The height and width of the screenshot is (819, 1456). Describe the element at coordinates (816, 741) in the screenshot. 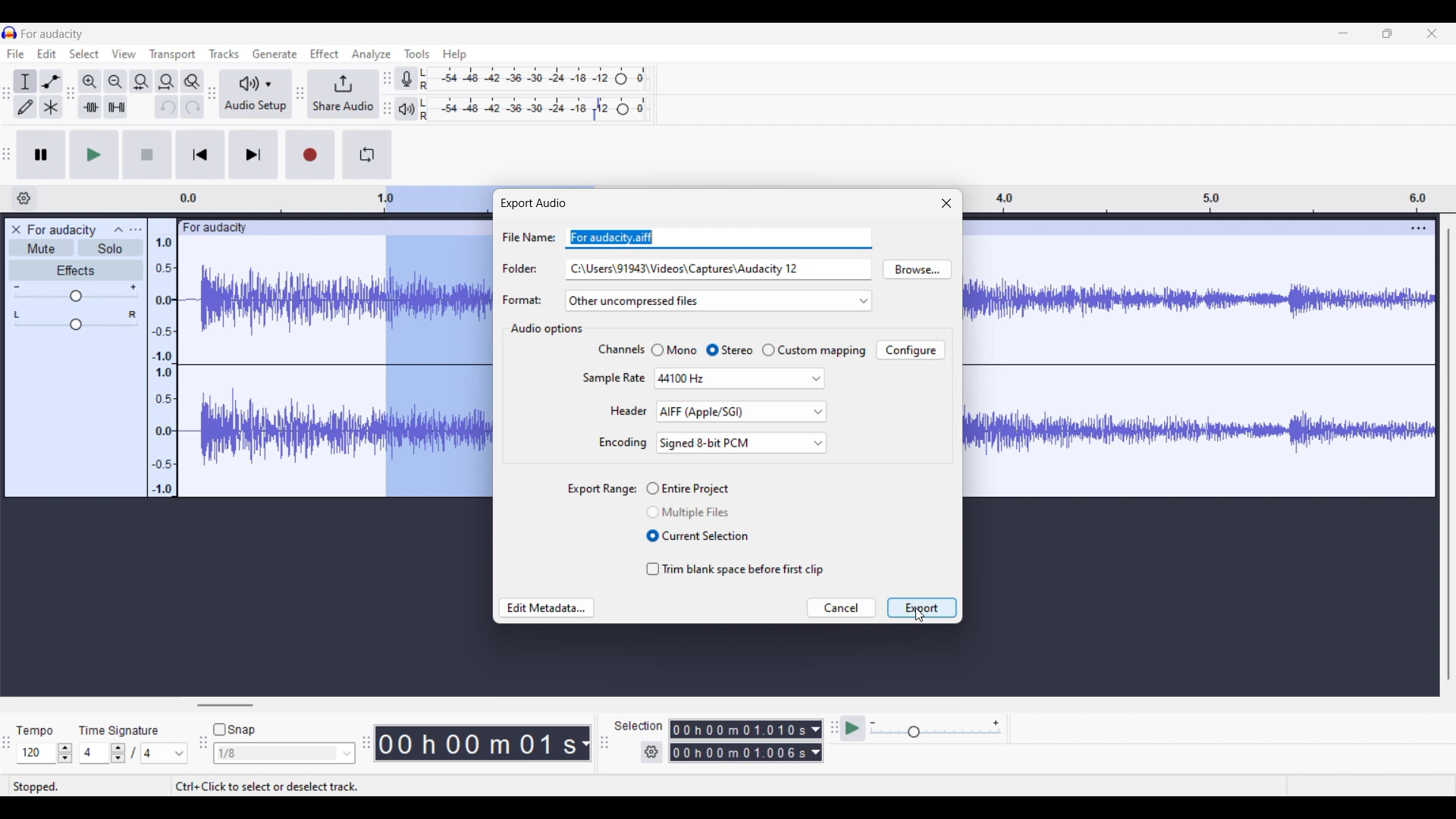

I see `Duration measurement options` at that location.